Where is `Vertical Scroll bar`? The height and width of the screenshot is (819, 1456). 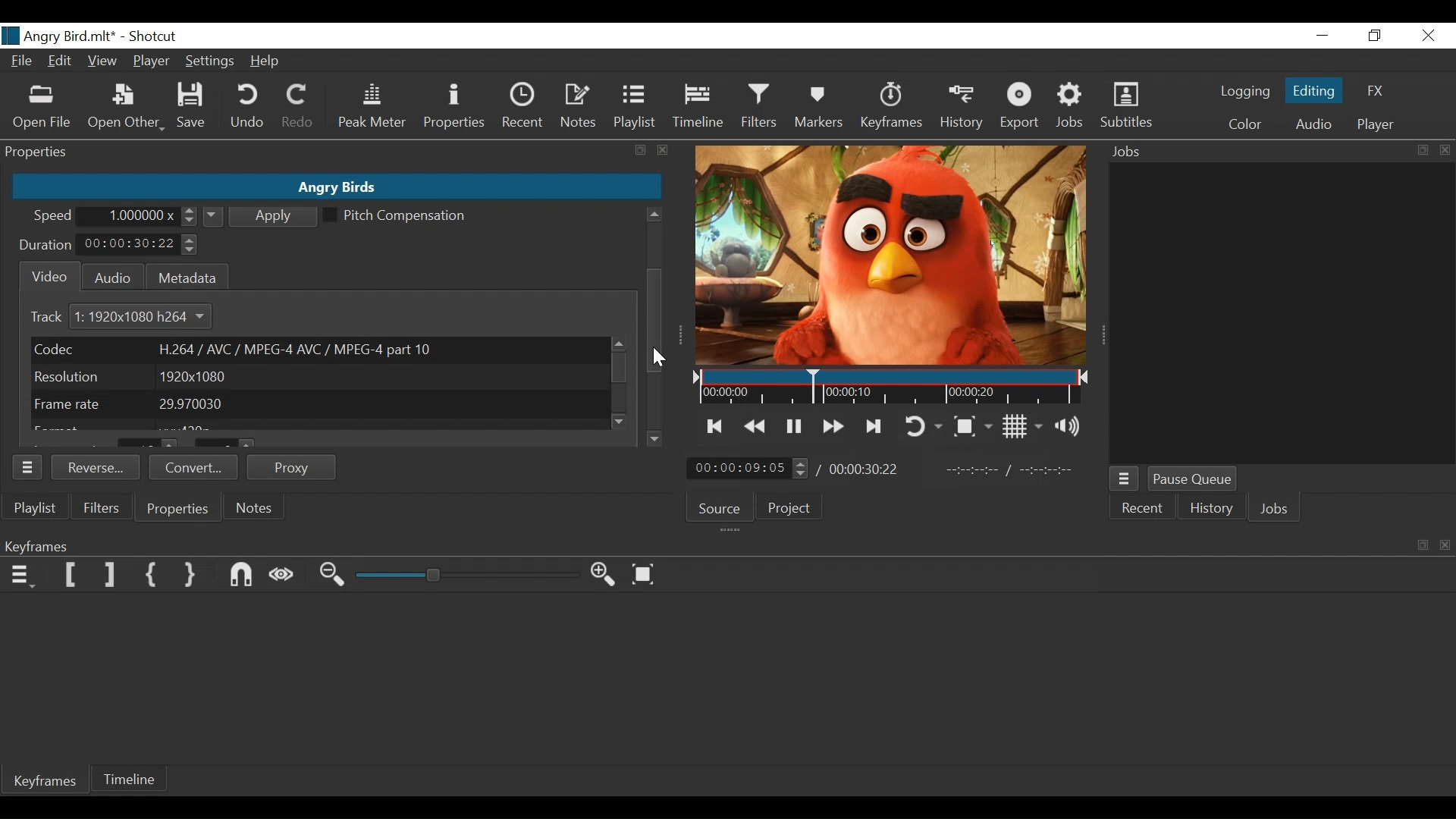 Vertical Scroll bar is located at coordinates (620, 369).